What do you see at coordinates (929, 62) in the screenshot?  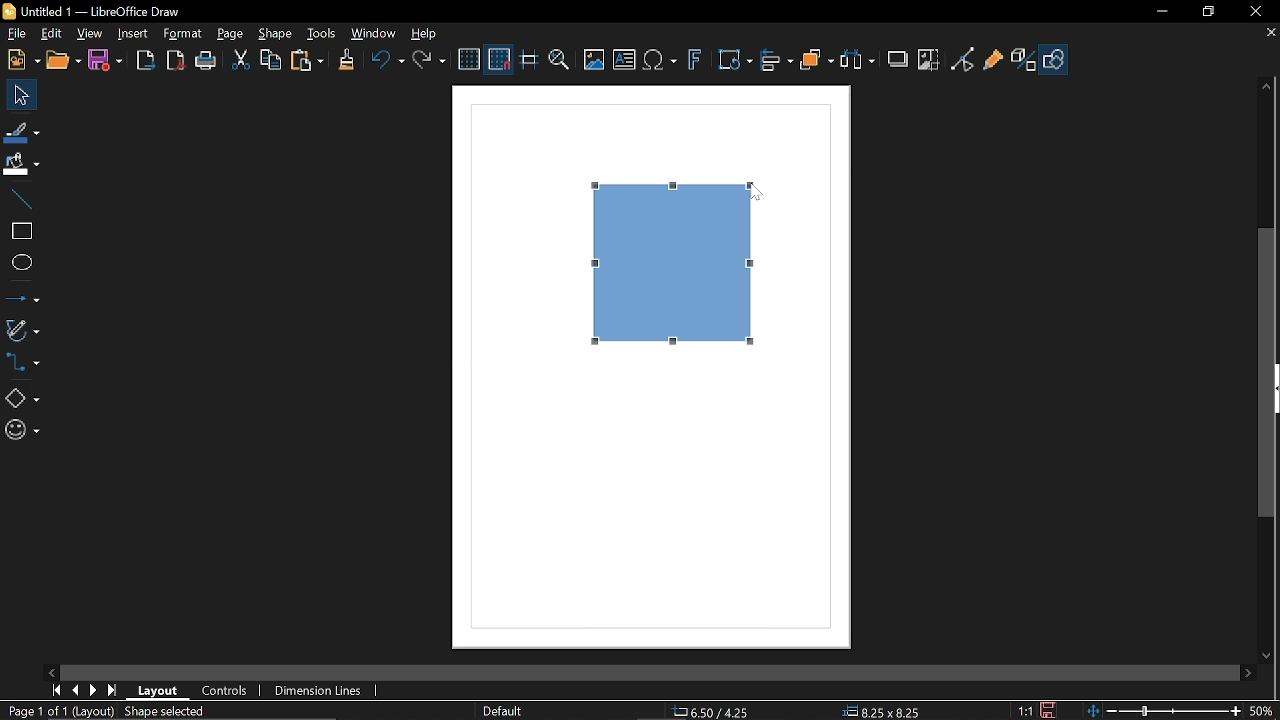 I see `Crop image` at bounding box center [929, 62].